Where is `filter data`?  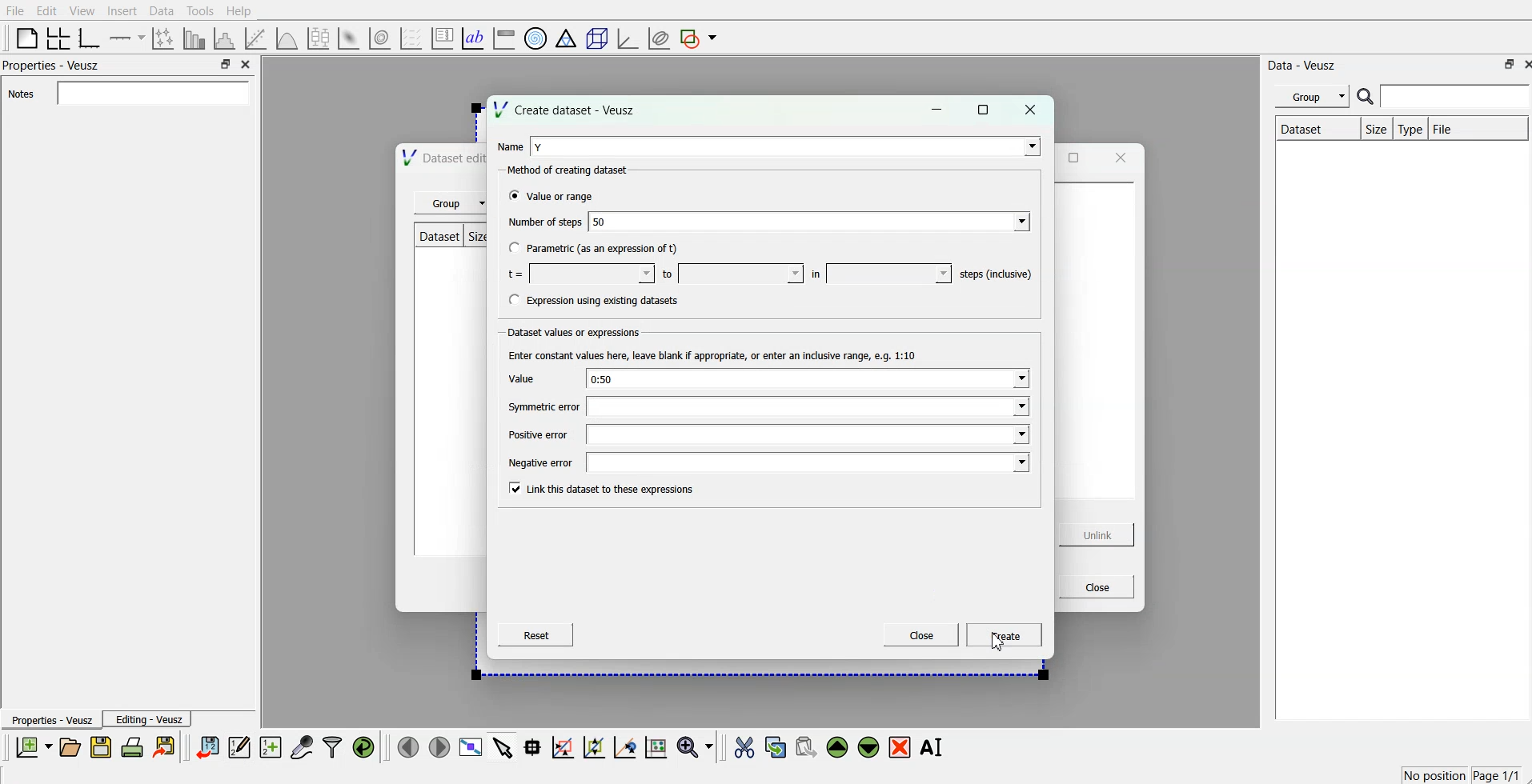
filter data is located at coordinates (332, 747).